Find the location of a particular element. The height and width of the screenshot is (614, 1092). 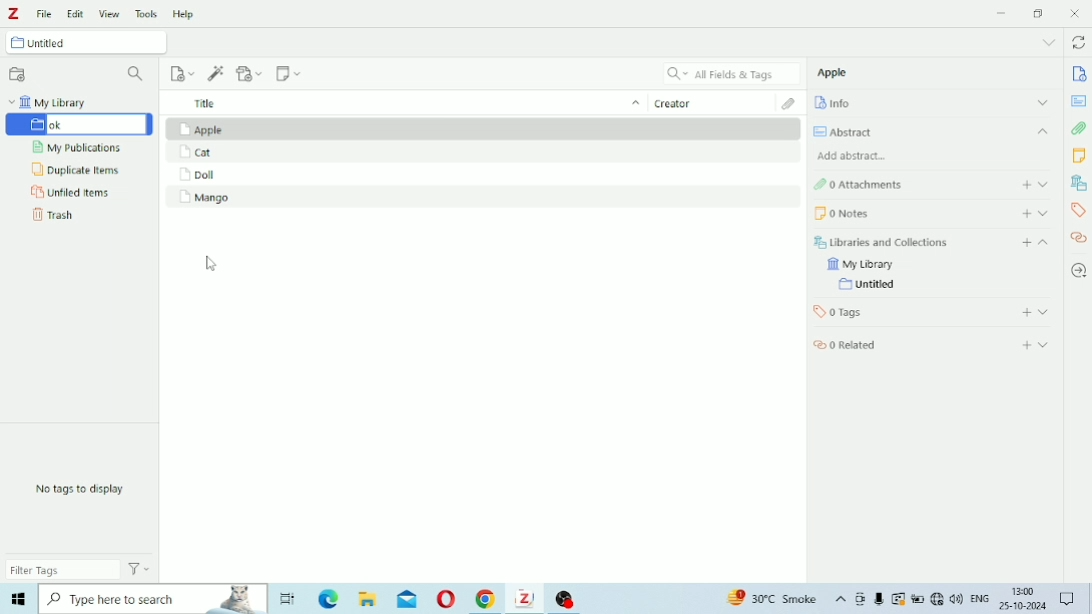

Expand section is located at coordinates (1043, 312).